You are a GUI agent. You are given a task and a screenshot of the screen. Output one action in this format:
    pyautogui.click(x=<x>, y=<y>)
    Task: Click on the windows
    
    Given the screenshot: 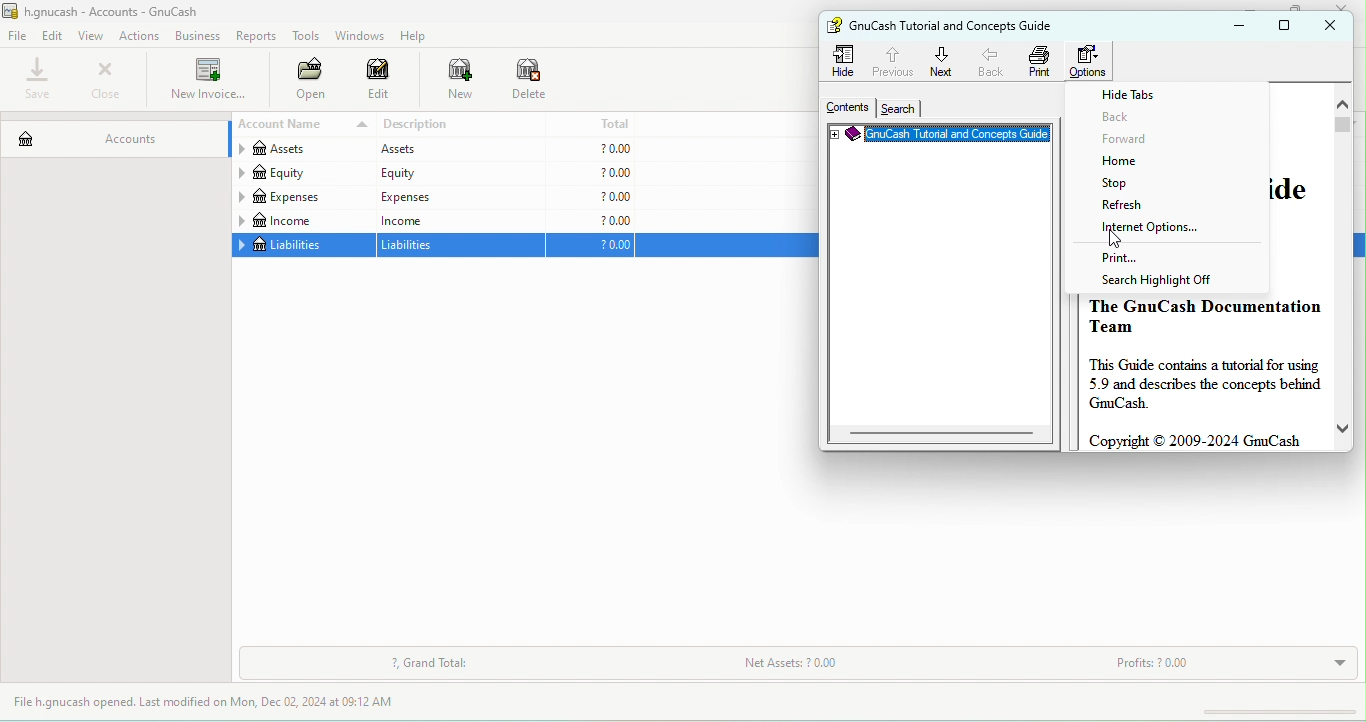 What is the action you would take?
    pyautogui.click(x=358, y=36)
    